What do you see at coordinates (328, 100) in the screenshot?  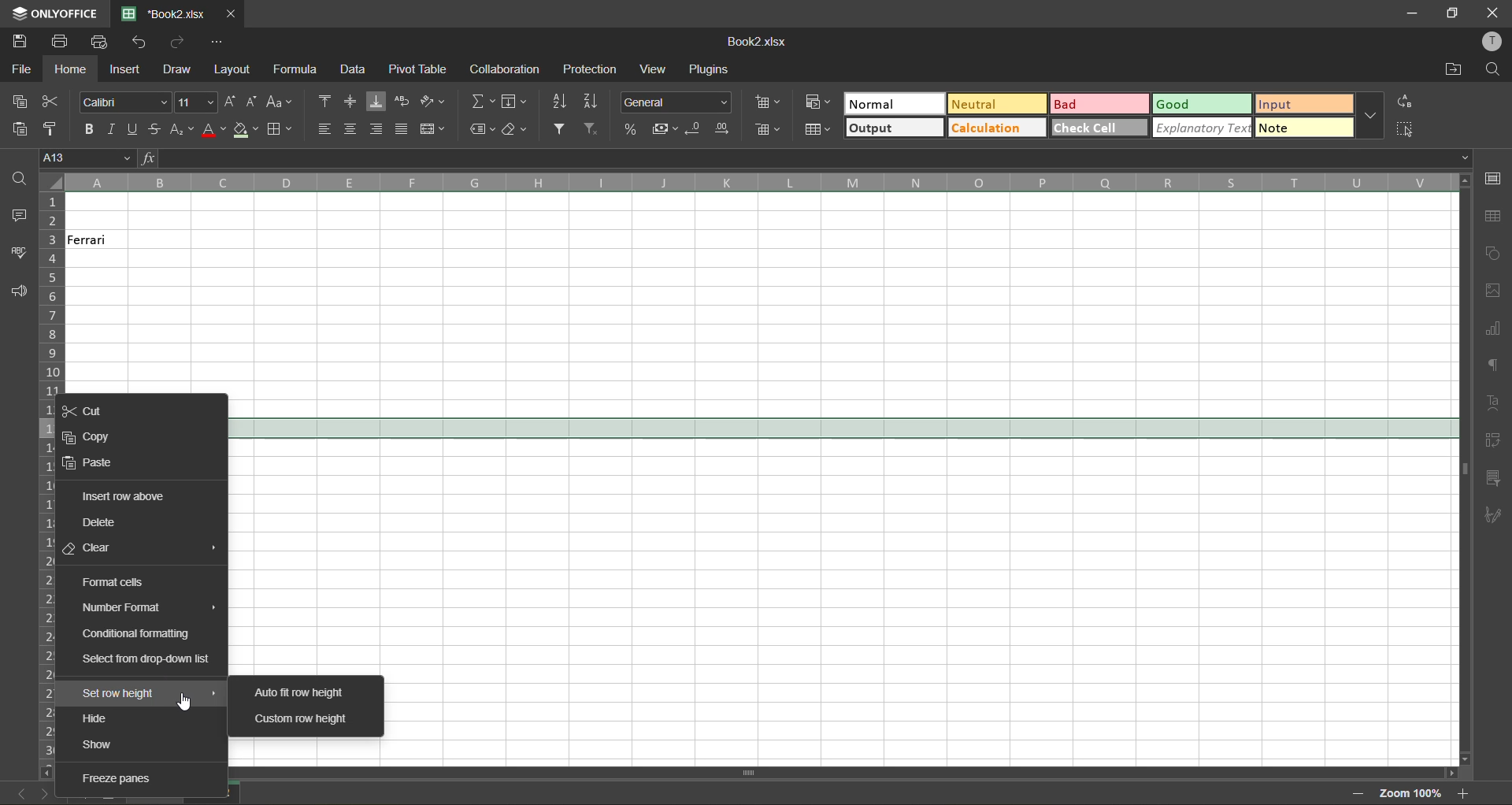 I see `align top` at bounding box center [328, 100].